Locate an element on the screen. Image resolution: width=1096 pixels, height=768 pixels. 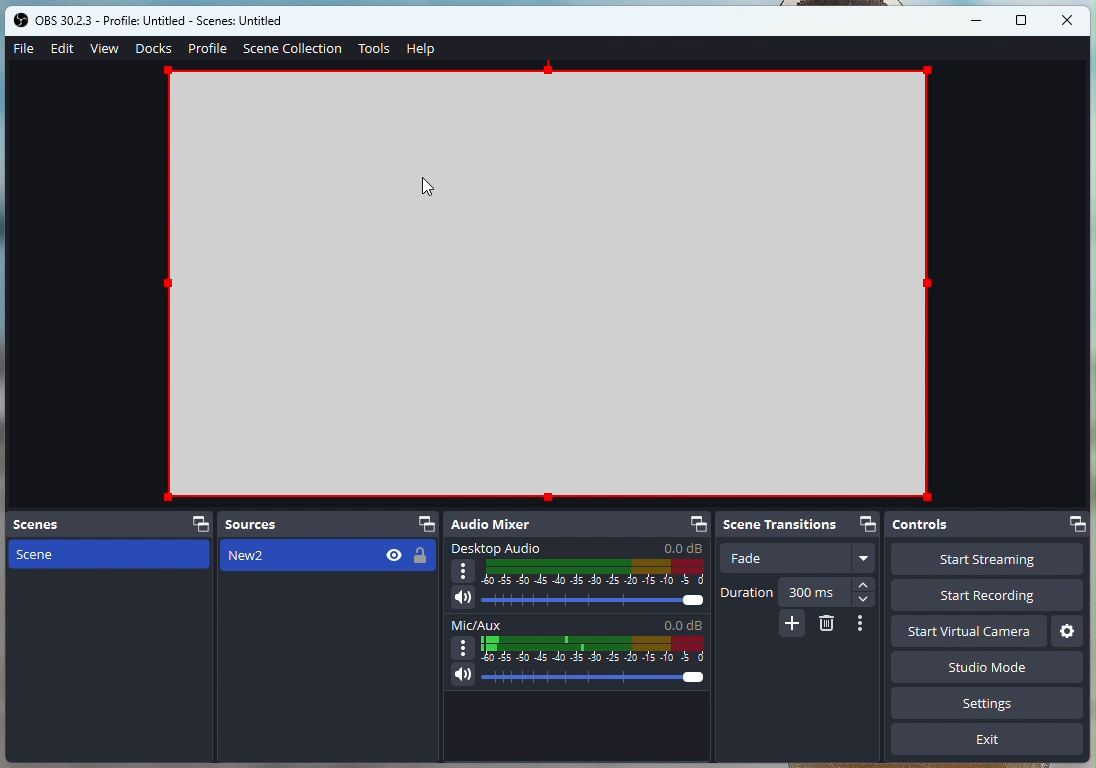
Desktop Audio is located at coordinates (580, 577).